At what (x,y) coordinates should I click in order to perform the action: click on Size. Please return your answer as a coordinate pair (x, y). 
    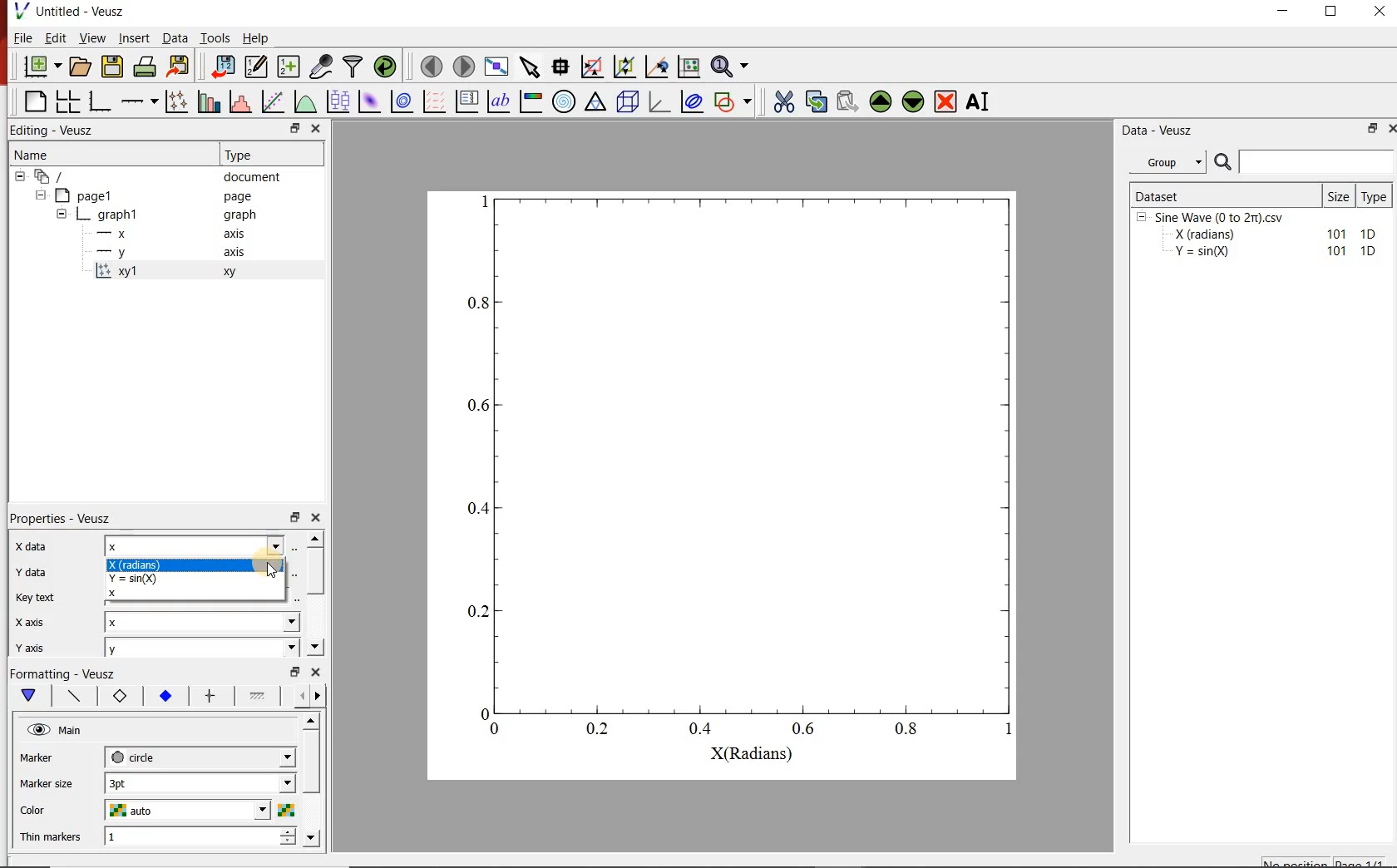
    Looking at the image, I should click on (1340, 195).